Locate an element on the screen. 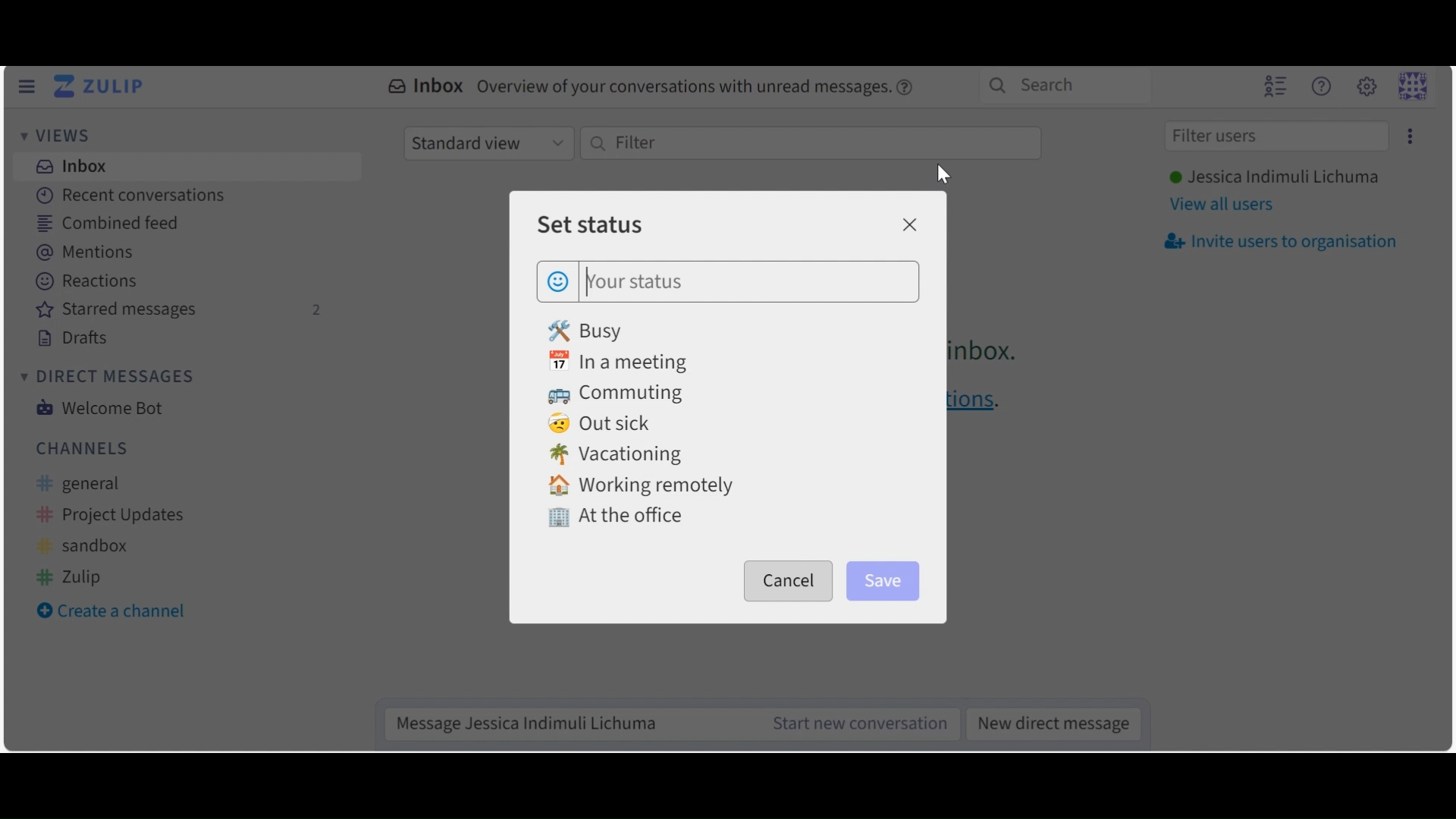 The width and height of the screenshot is (1456, 819). Search is located at coordinates (1062, 85).